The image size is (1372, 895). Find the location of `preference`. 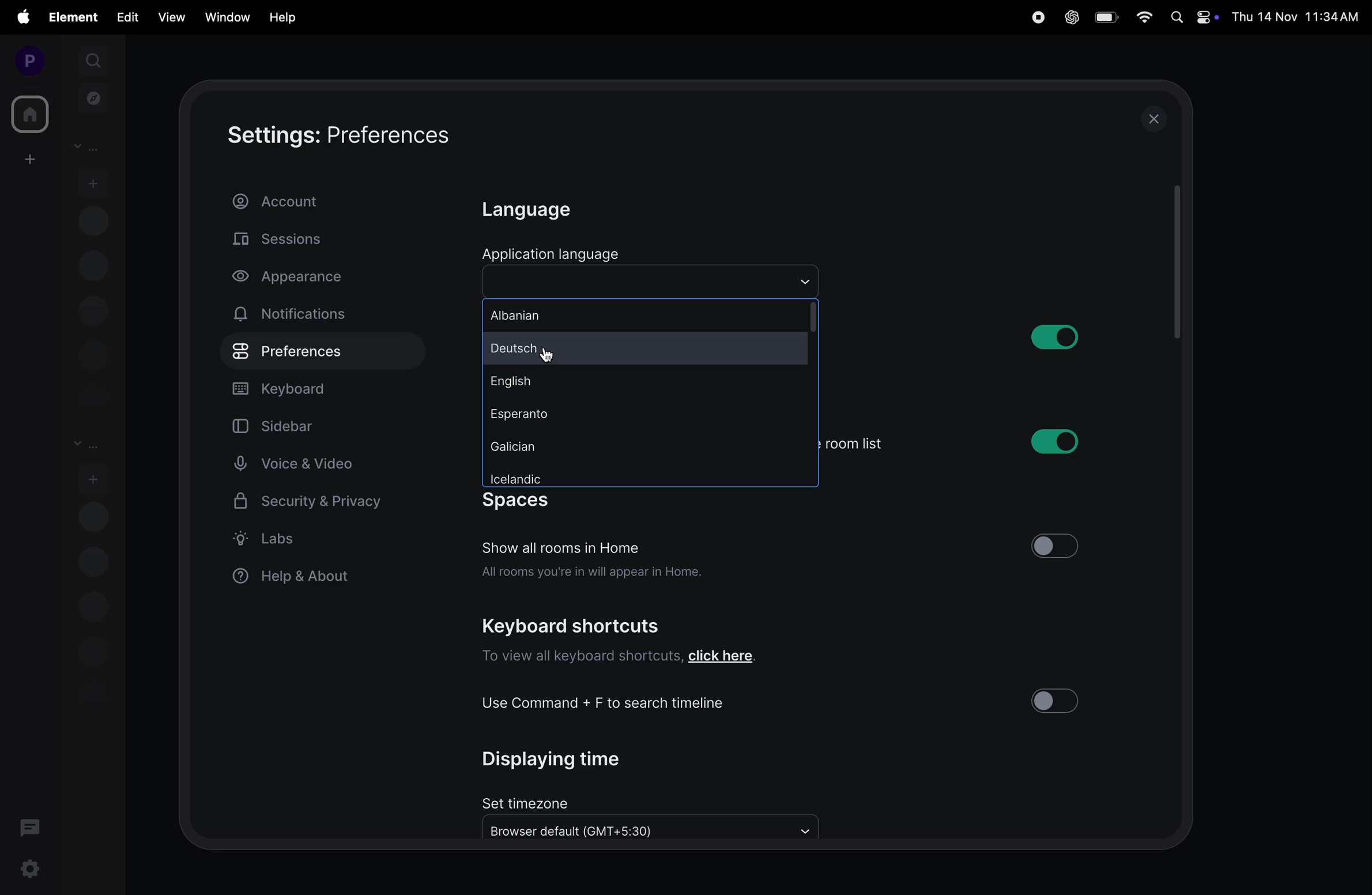

preference is located at coordinates (299, 354).